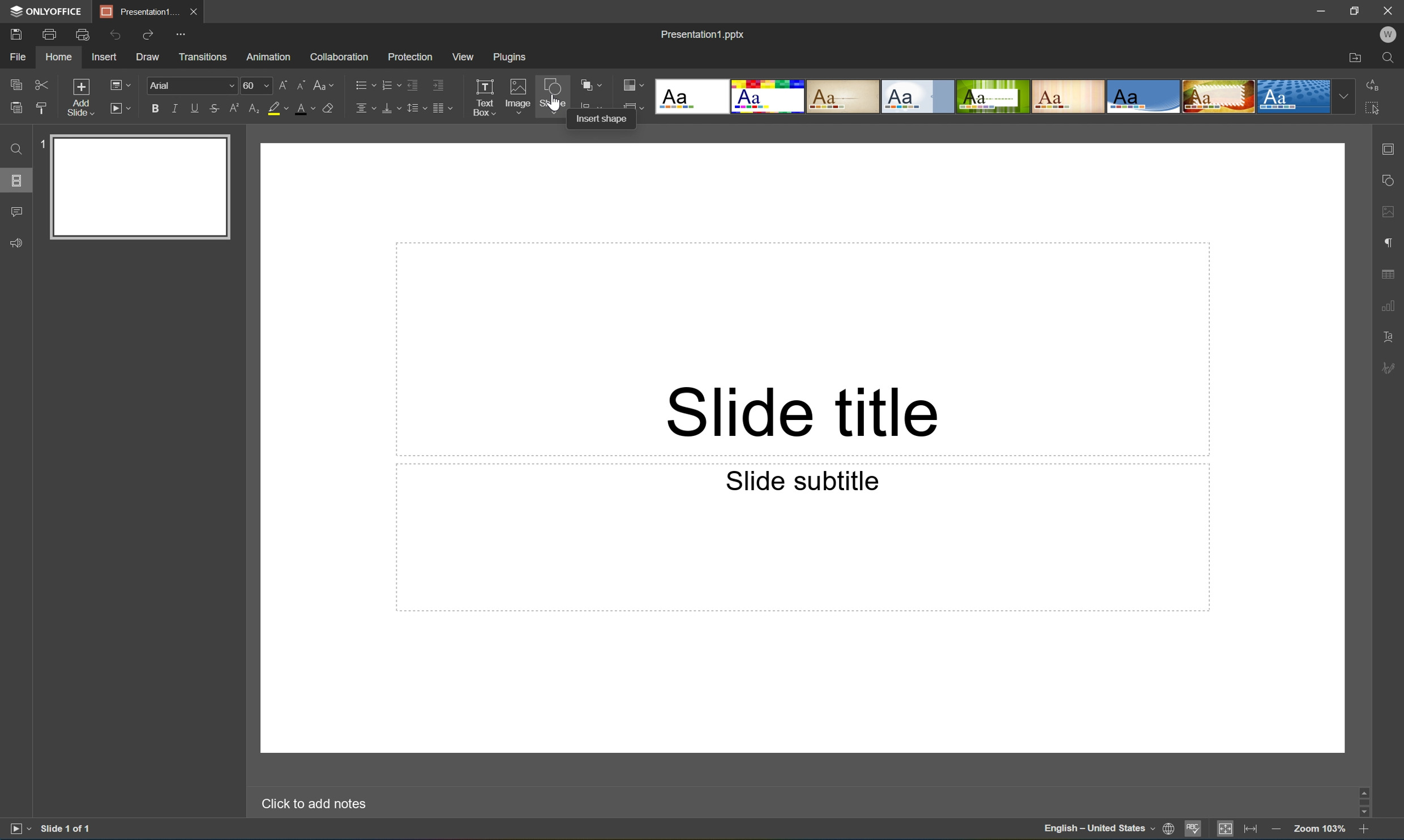  What do you see at coordinates (702, 37) in the screenshot?
I see `Presentation1.pptx` at bounding box center [702, 37].